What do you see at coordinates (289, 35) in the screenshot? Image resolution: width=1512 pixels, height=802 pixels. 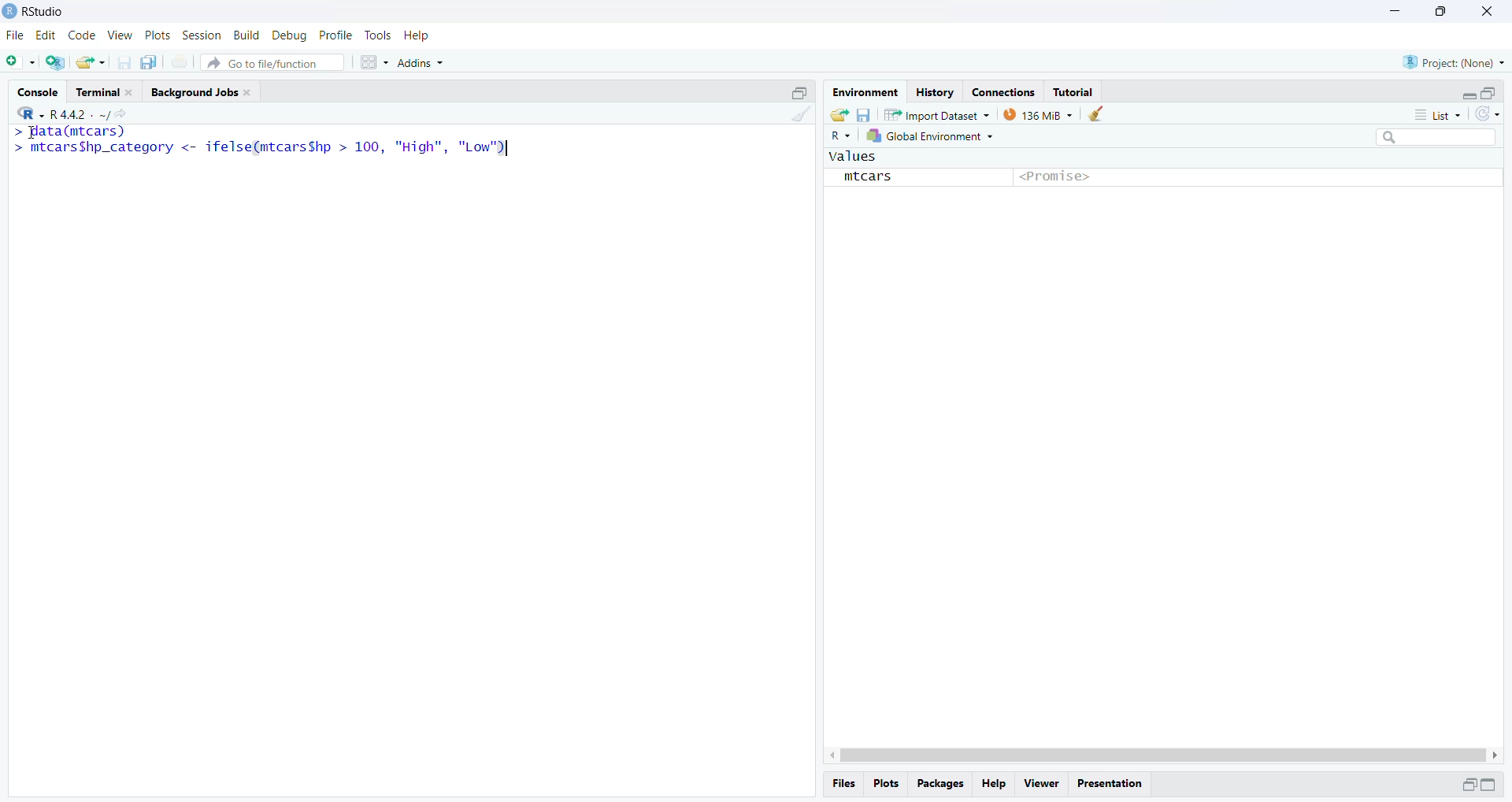 I see `Debug` at bounding box center [289, 35].